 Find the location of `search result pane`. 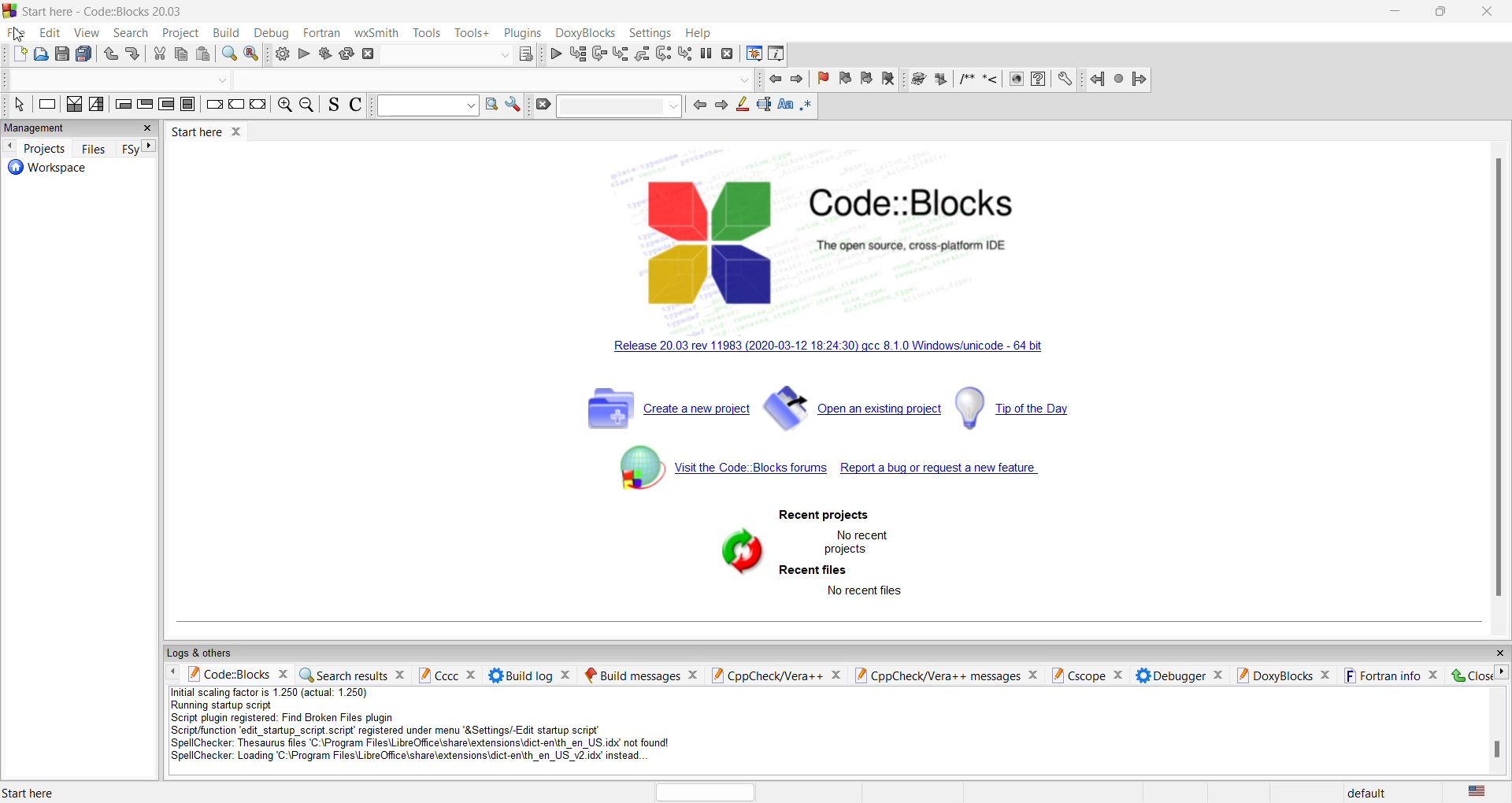

search result pane is located at coordinates (354, 673).